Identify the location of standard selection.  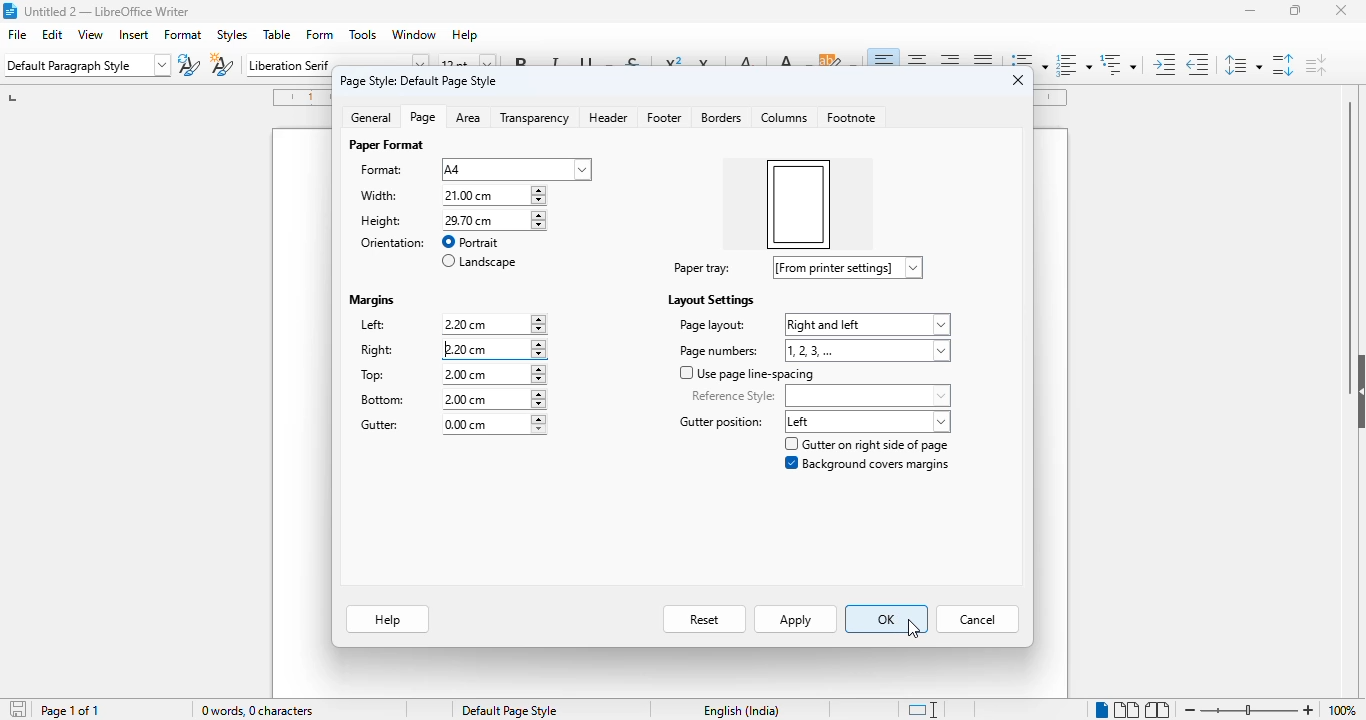
(922, 710).